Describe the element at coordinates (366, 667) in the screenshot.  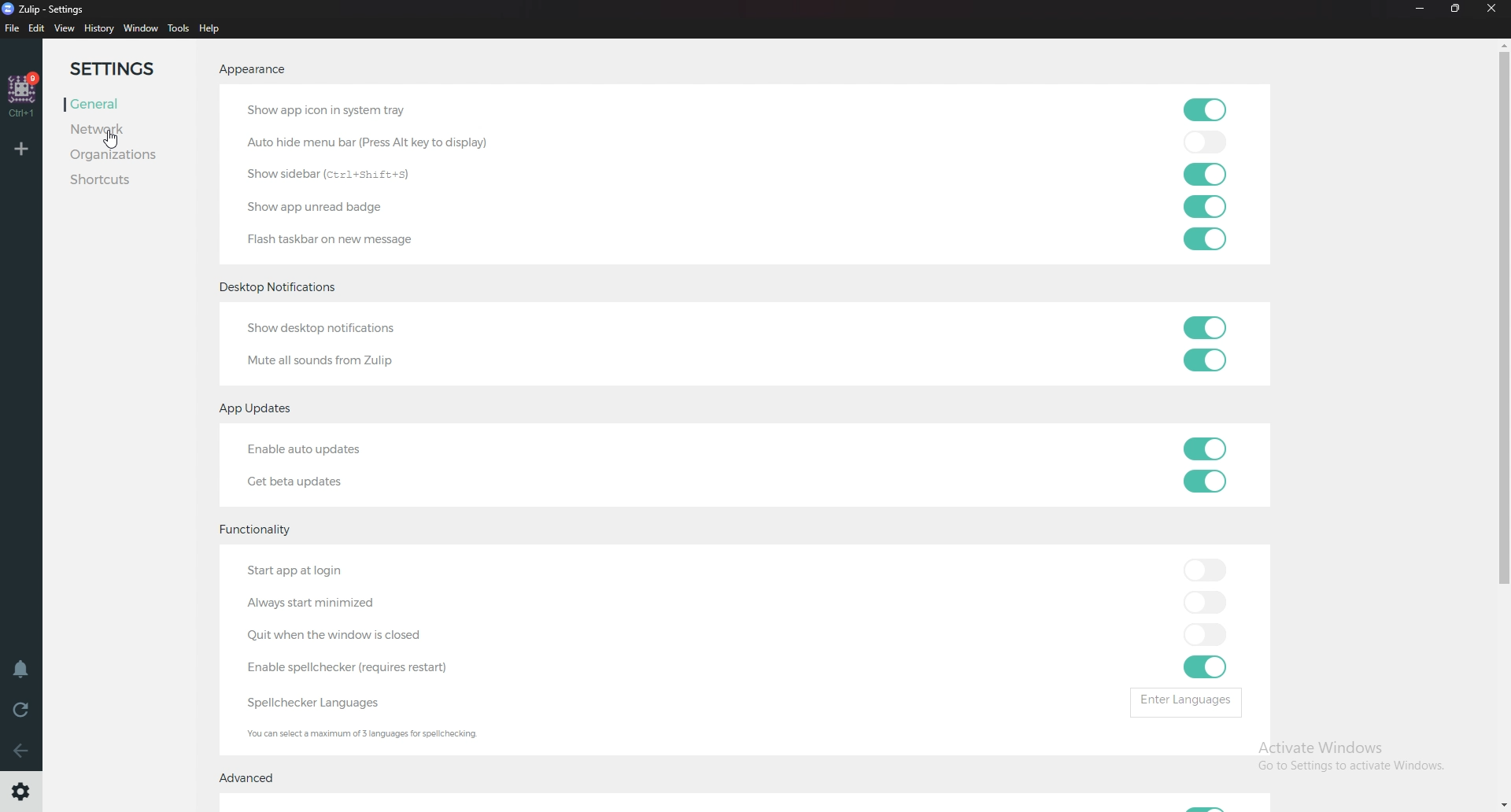
I see `Enable Spell Checker` at that location.